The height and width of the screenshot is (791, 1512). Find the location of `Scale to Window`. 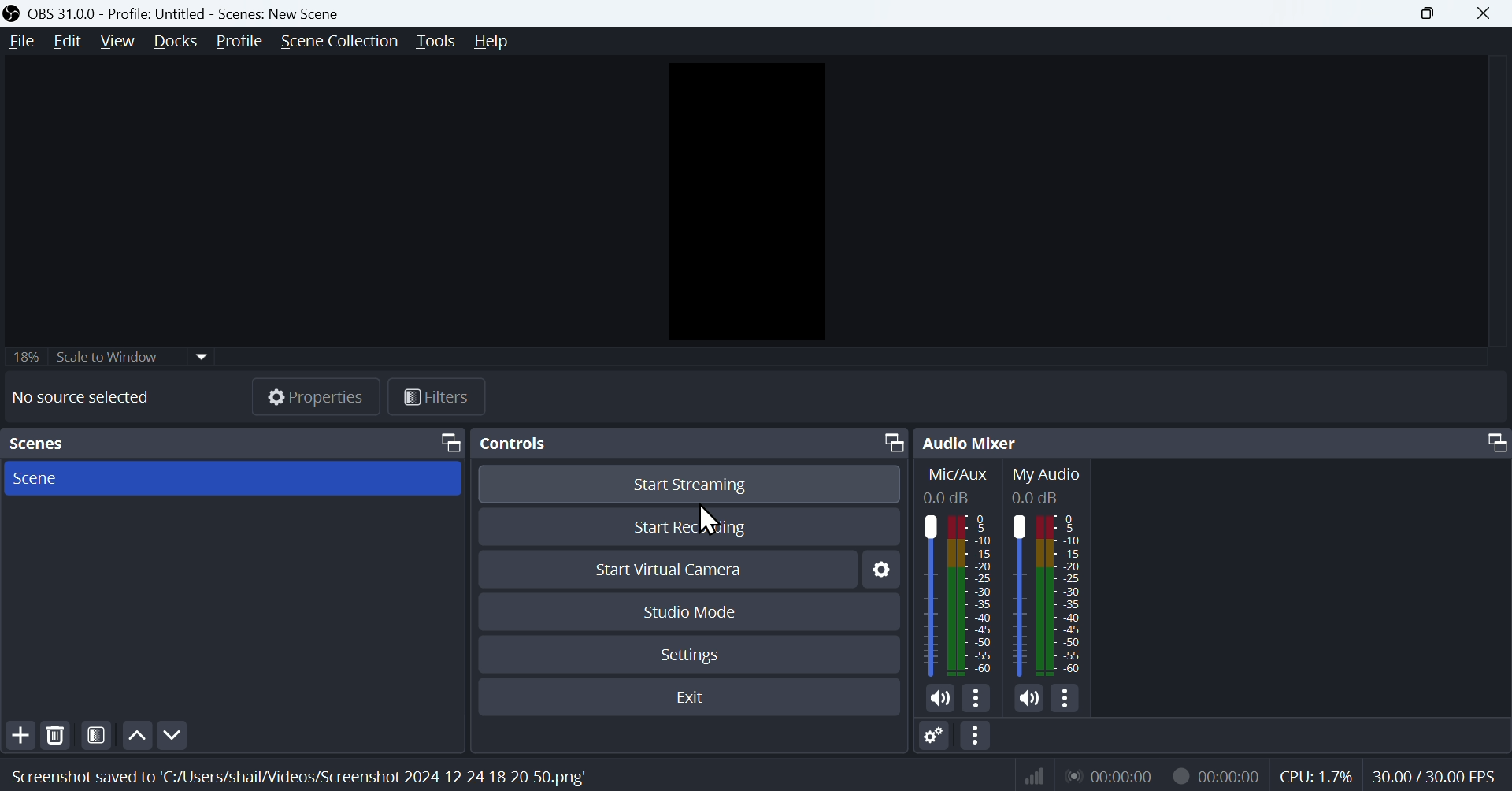

Scale to Window is located at coordinates (132, 355).